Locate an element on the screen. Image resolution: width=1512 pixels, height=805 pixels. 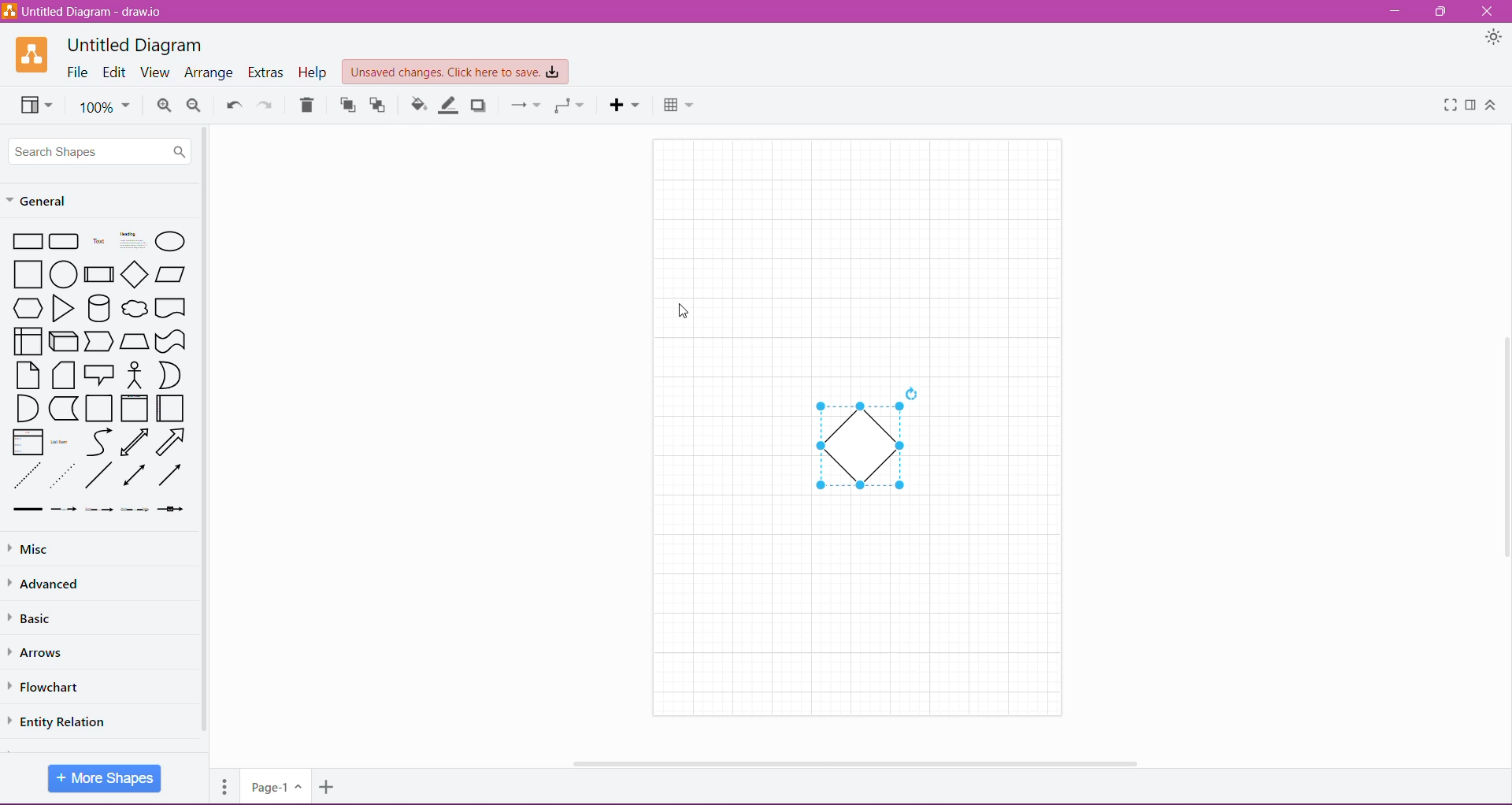
Pages is located at coordinates (225, 785).